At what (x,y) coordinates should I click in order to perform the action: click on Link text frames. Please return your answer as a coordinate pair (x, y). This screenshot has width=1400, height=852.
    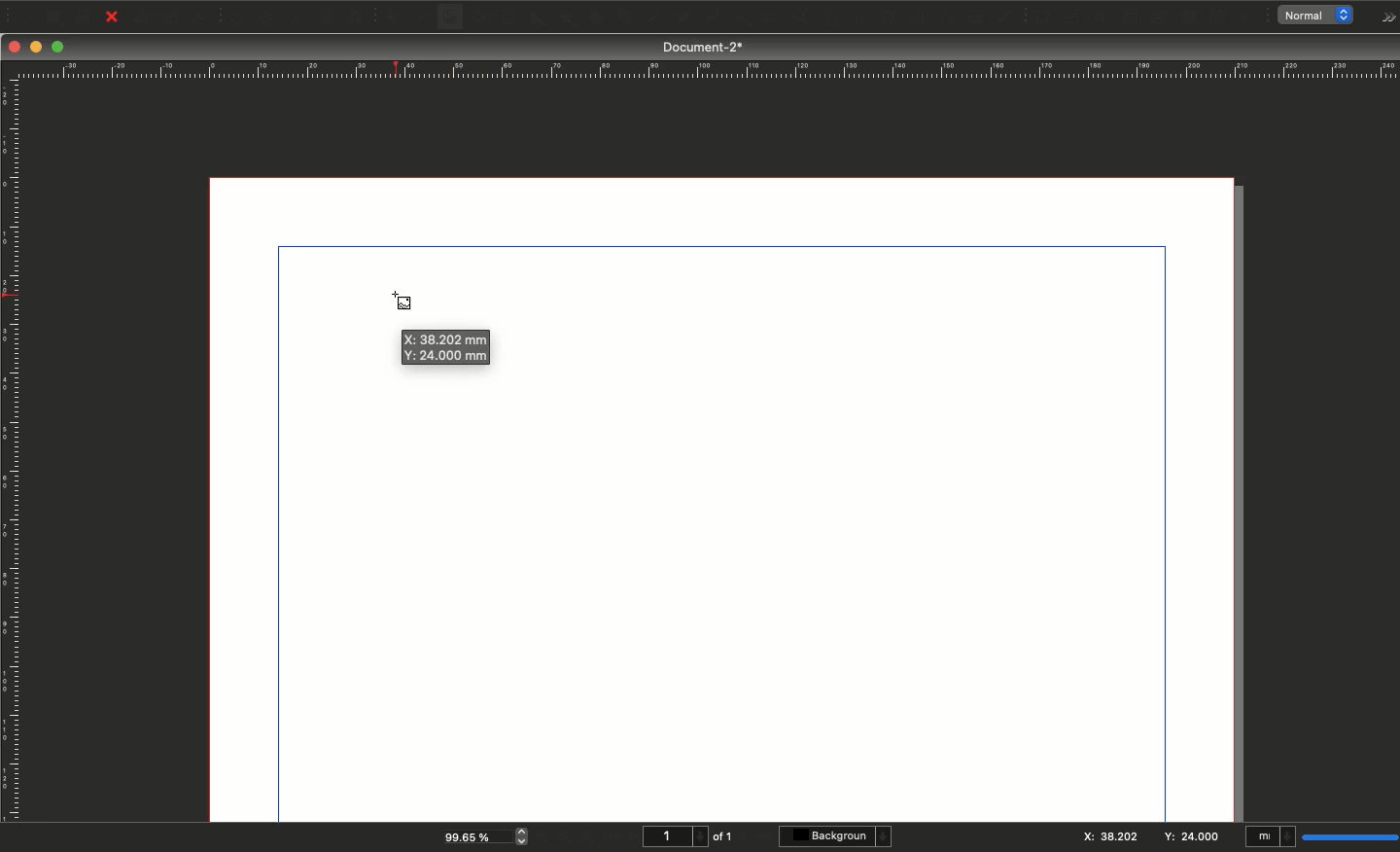
    Looking at the image, I should click on (880, 17).